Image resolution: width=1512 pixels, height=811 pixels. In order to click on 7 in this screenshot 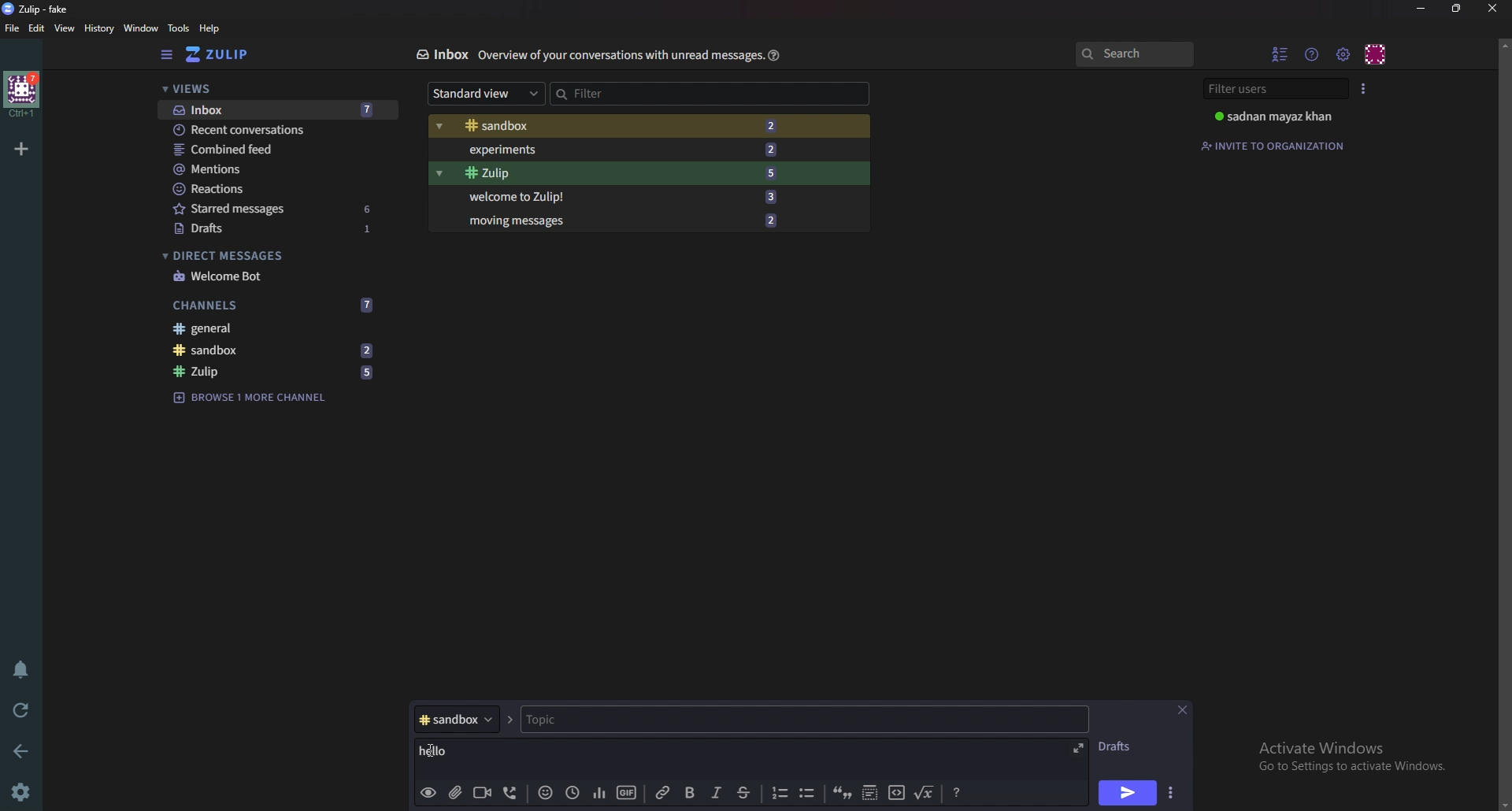, I will do `click(376, 109)`.